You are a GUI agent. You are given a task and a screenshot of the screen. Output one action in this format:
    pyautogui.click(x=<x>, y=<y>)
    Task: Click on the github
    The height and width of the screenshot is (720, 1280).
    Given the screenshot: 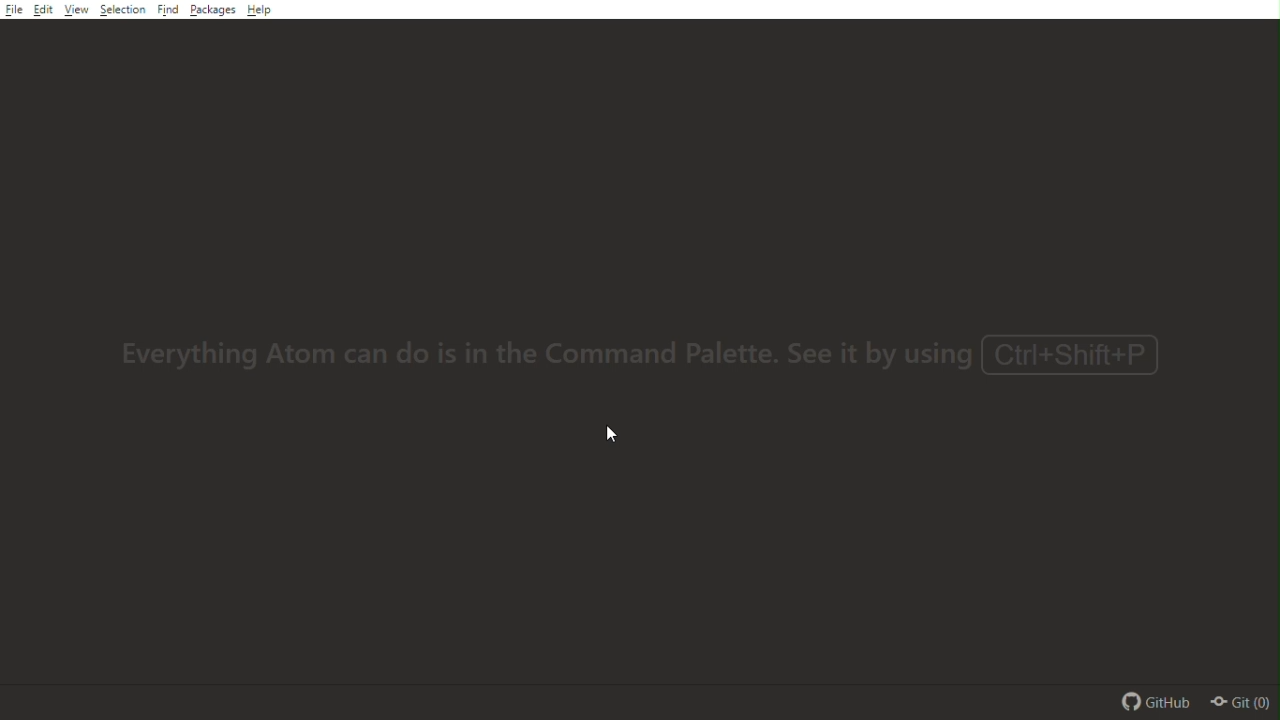 What is the action you would take?
    pyautogui.click(x=1153, y=701)
    